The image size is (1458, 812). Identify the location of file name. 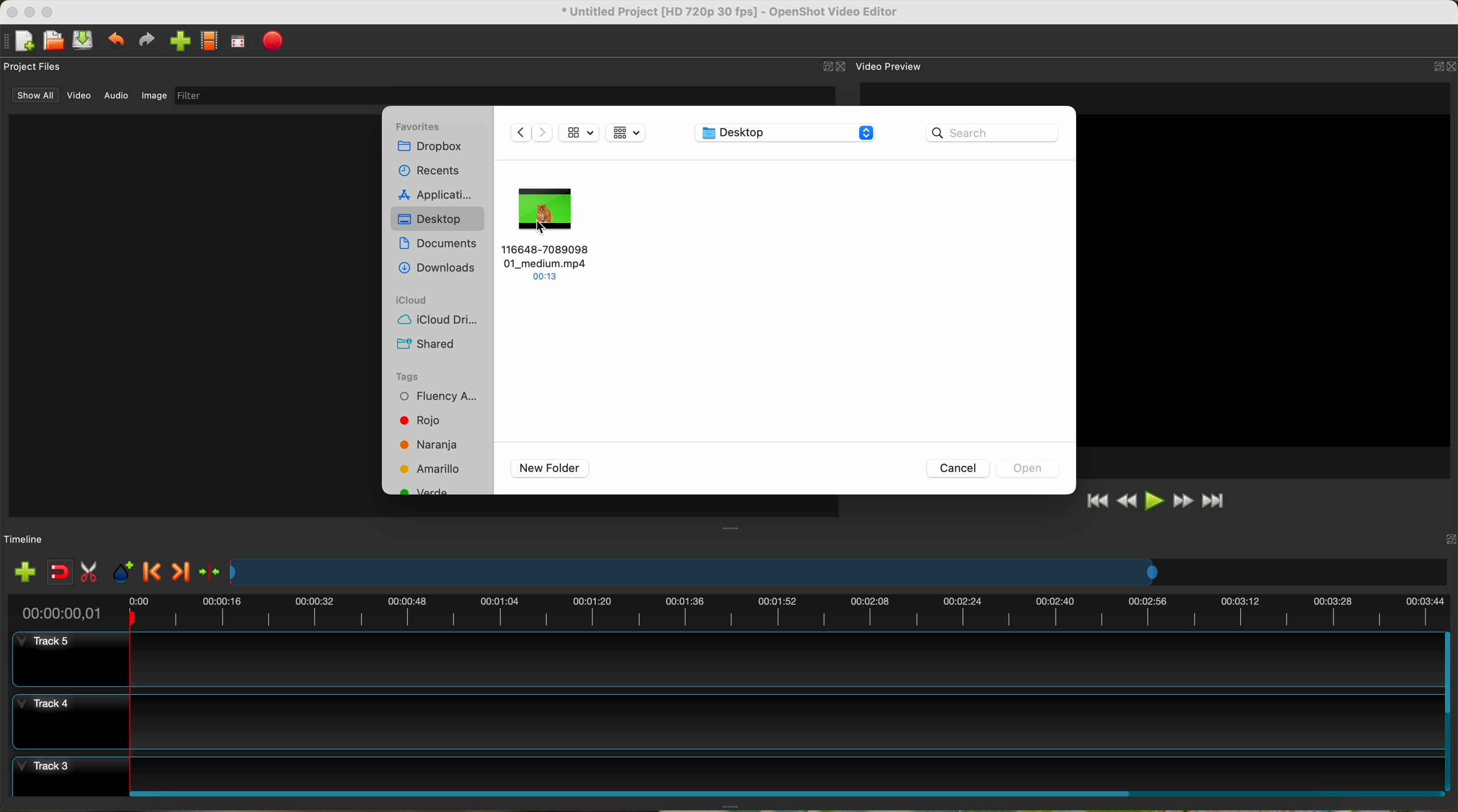
(731, 12).